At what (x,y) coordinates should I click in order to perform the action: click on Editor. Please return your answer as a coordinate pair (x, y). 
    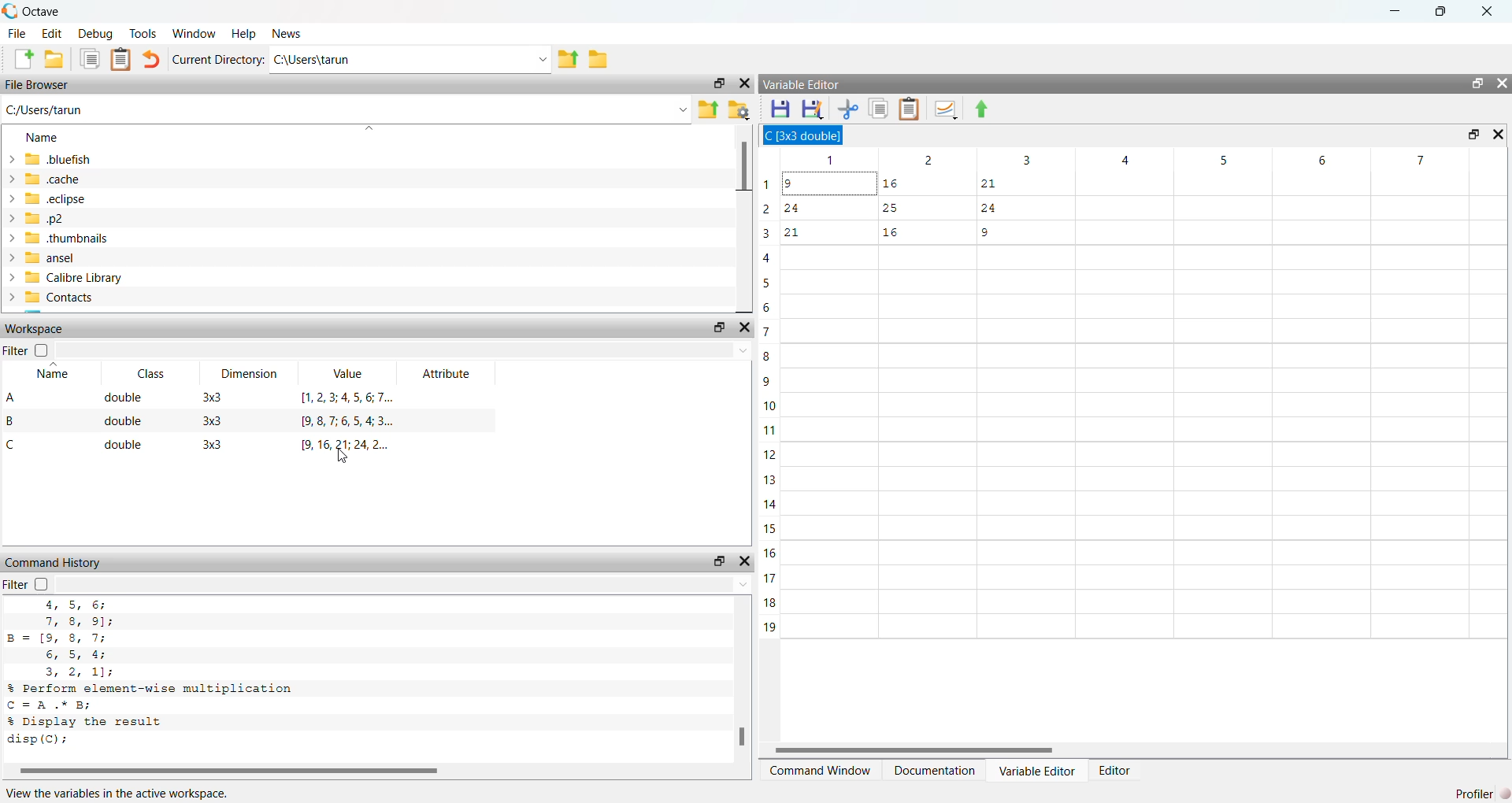
    Looking at the image, I should click on (1115, 772).